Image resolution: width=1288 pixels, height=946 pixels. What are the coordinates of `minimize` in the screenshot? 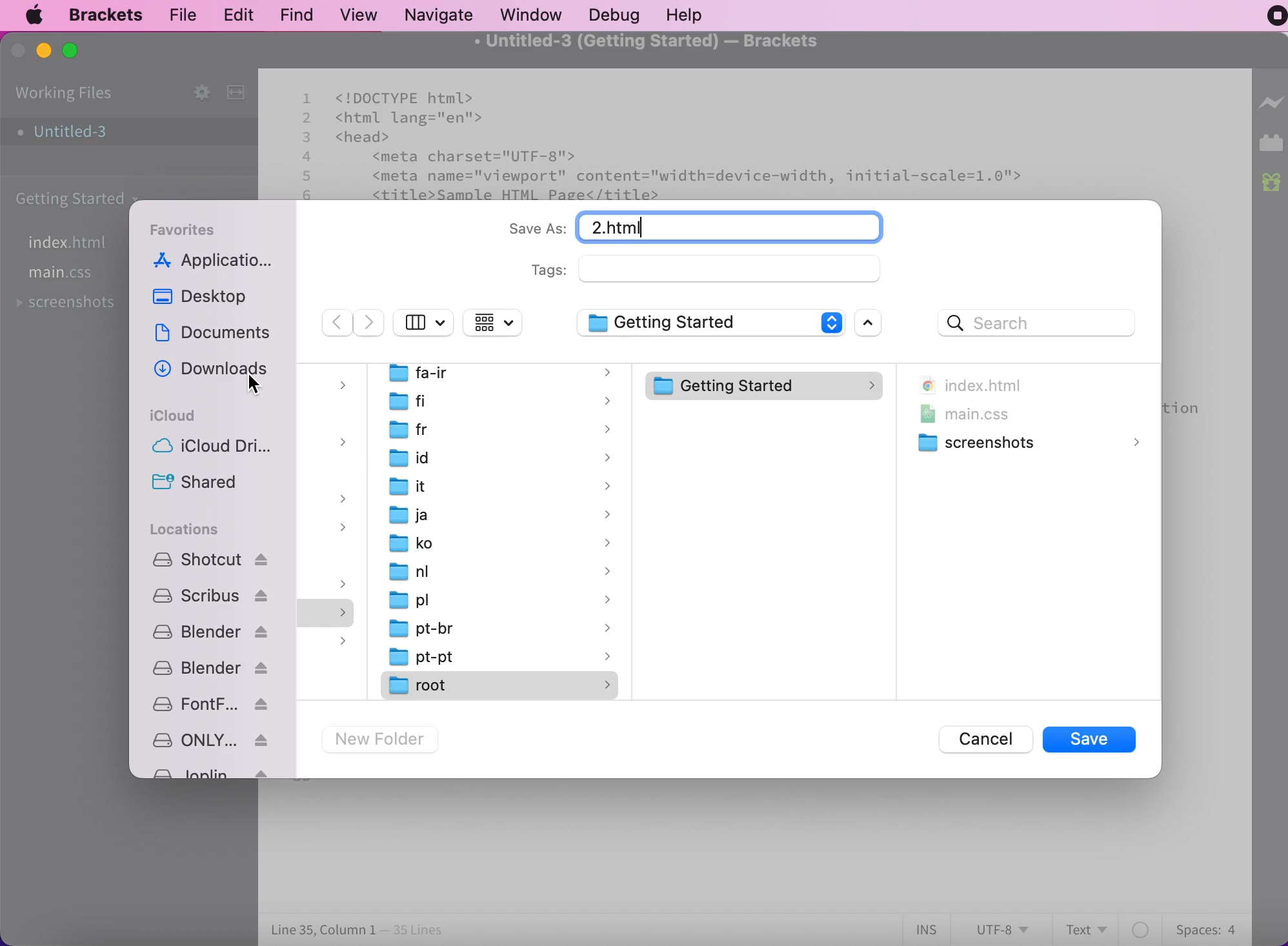 It's located at (45, 51).